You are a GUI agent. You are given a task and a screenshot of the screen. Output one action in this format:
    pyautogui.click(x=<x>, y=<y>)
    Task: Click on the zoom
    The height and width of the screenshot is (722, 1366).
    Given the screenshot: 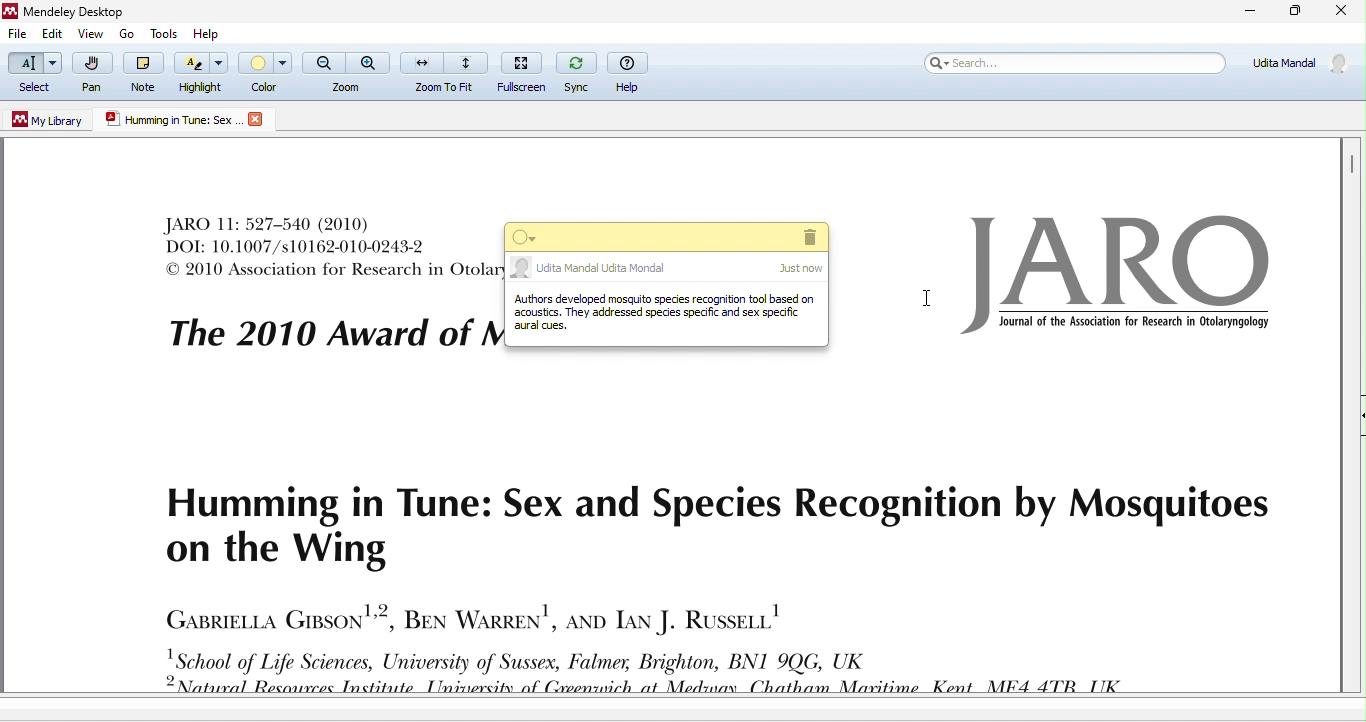 What is the action you would take?
    pyautogui.click(x=345, y=73)
    